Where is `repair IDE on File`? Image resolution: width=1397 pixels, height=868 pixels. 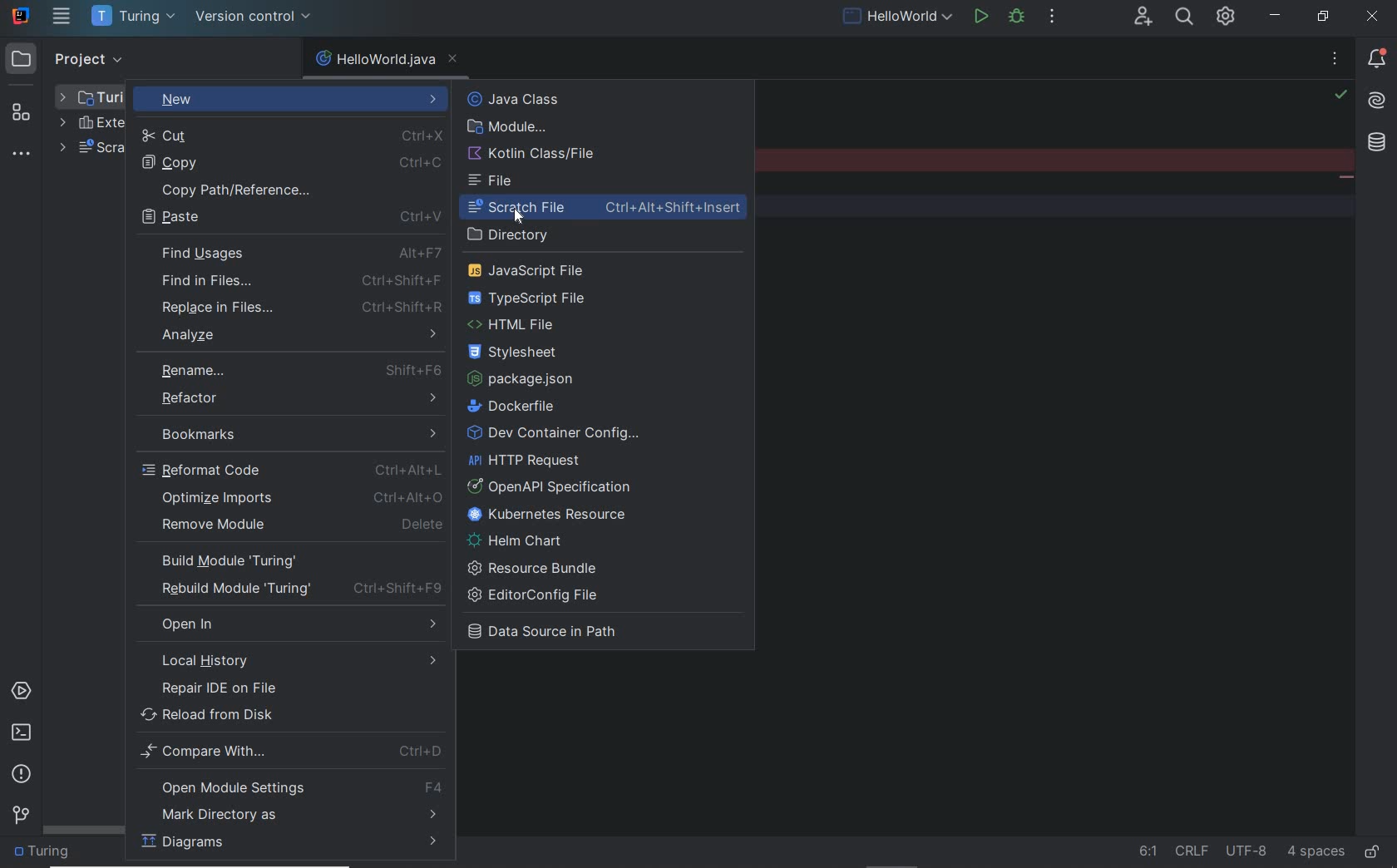 repair IDE on File is located at coordinates (284, 688).